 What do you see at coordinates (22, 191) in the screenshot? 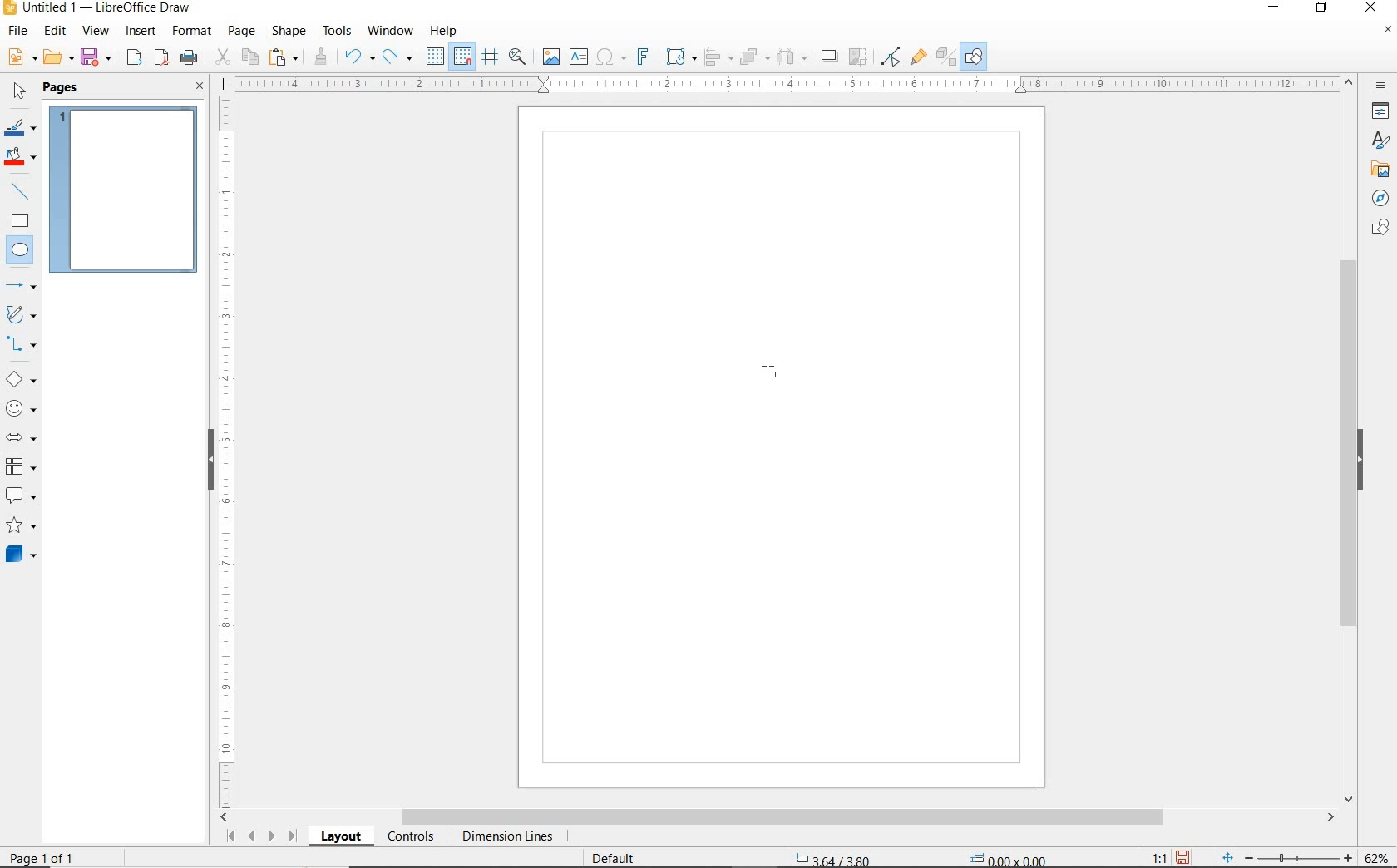
I see `INSERT LINE` at bounding box center [22, 191].